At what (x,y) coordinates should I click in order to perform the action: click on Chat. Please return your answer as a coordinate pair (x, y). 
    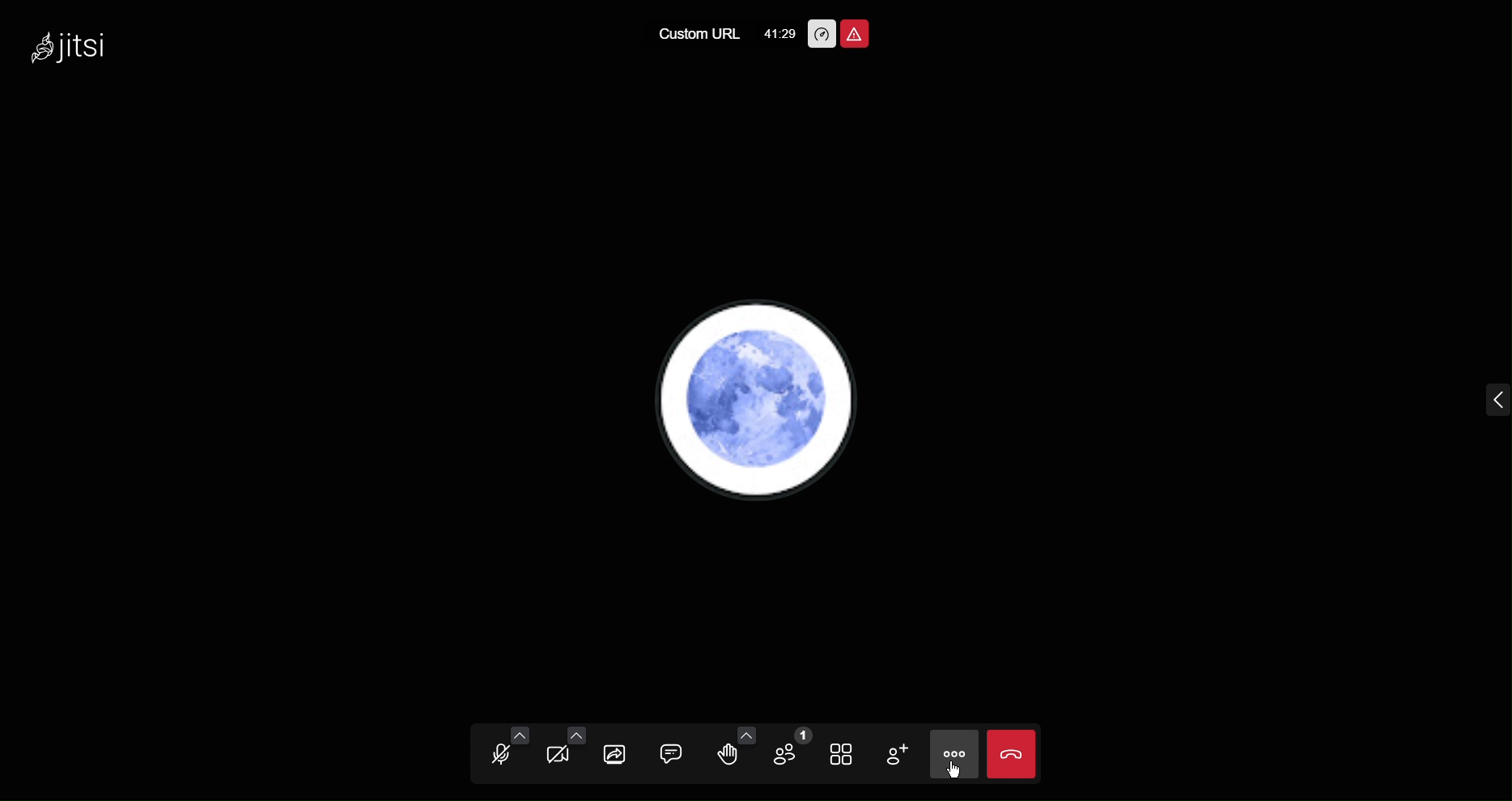
    Looking at the image, I should click on (673, 752).